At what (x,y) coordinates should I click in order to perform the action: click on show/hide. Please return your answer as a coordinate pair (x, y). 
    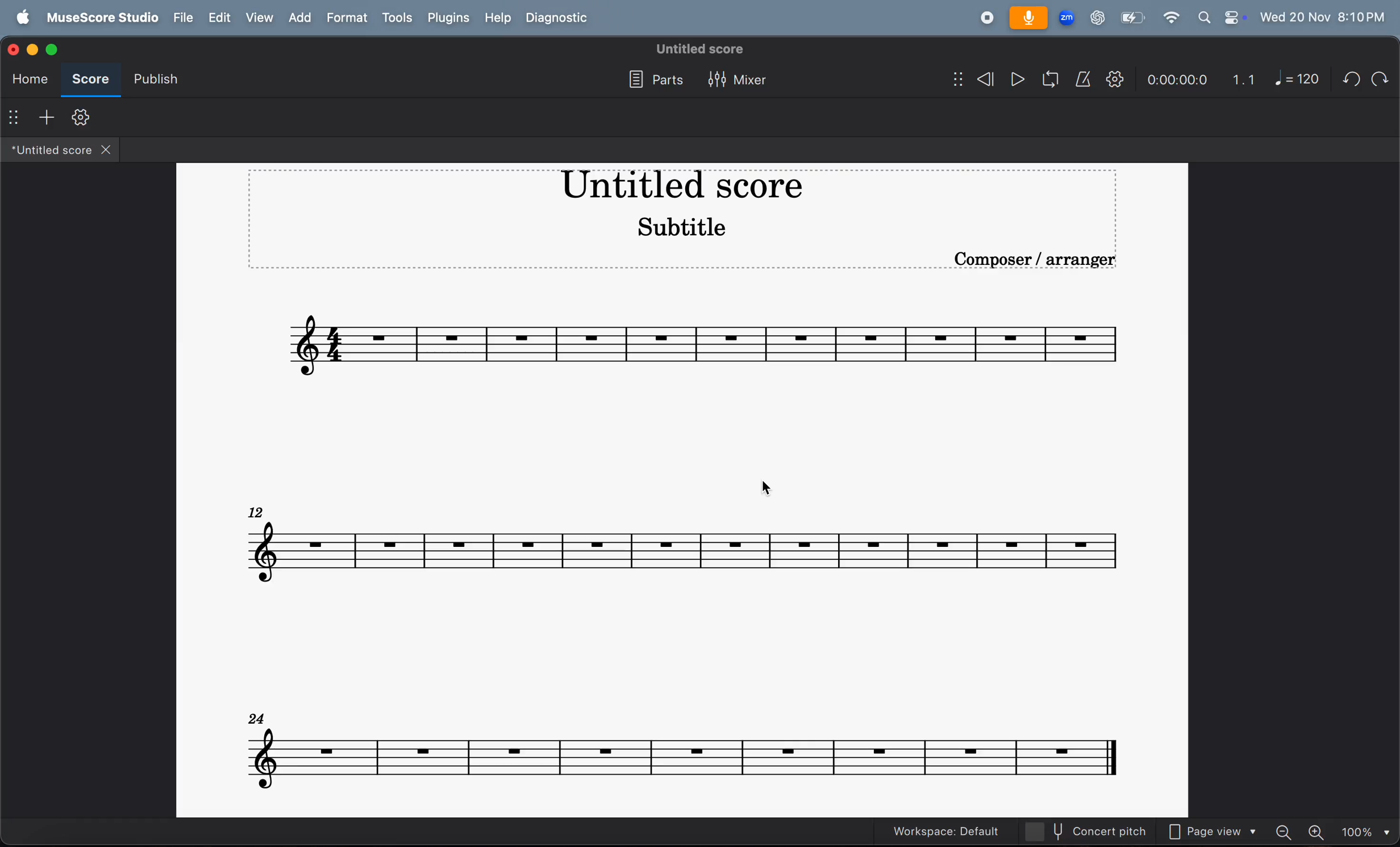
    Looking at the image, I should click on (950, 77).